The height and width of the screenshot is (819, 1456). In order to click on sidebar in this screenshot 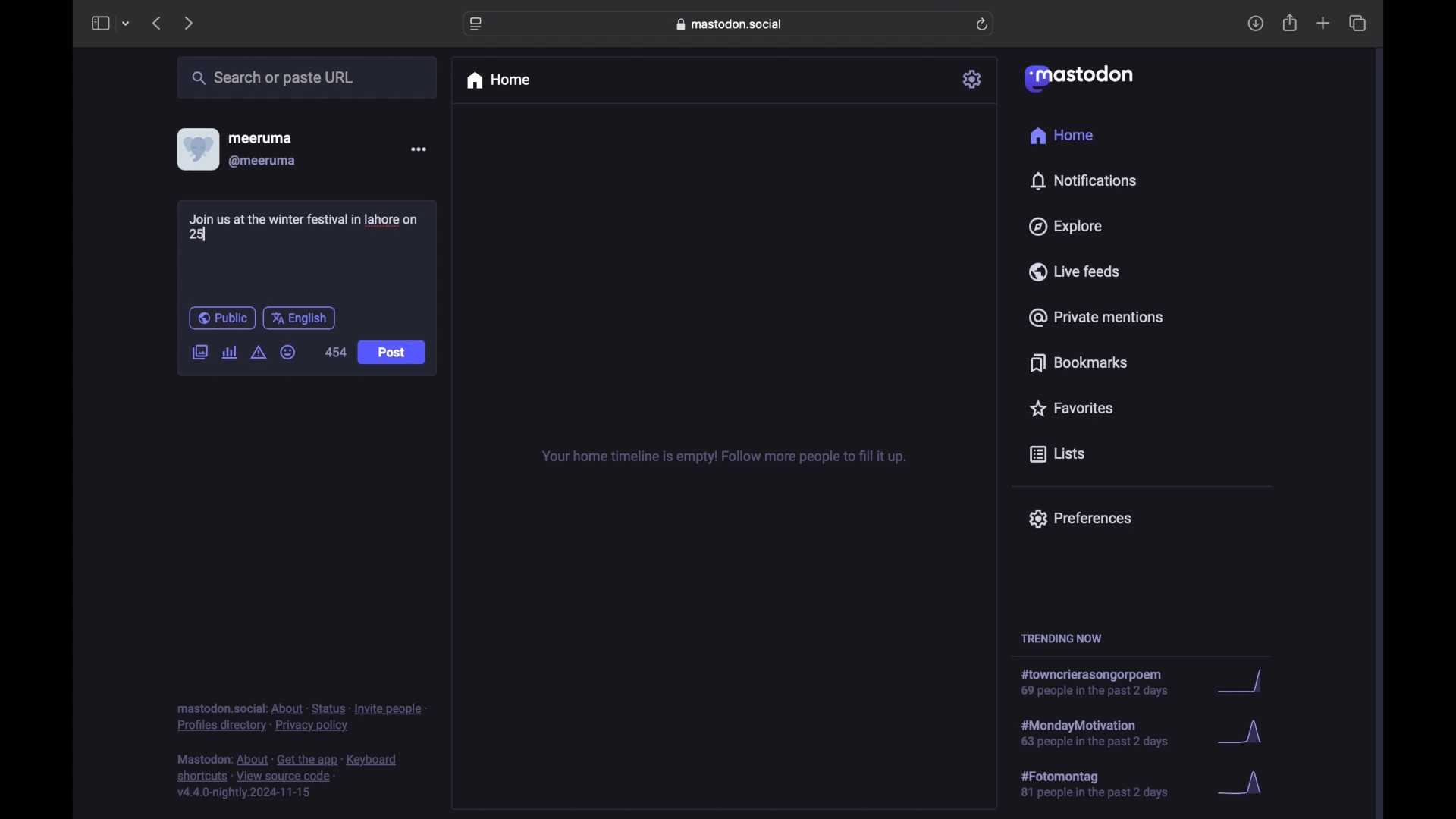, I will do `click(99, 23)`.